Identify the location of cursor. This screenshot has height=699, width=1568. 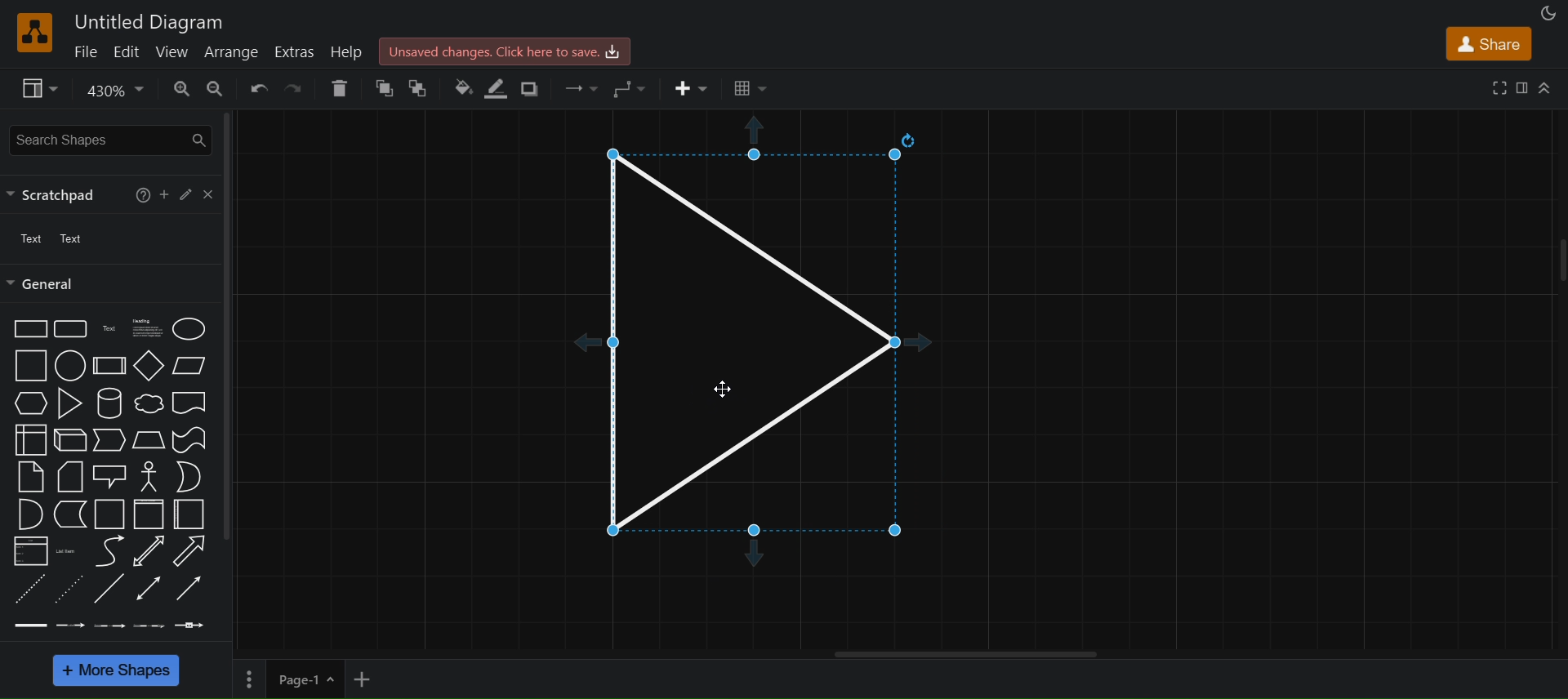
(719, 388).